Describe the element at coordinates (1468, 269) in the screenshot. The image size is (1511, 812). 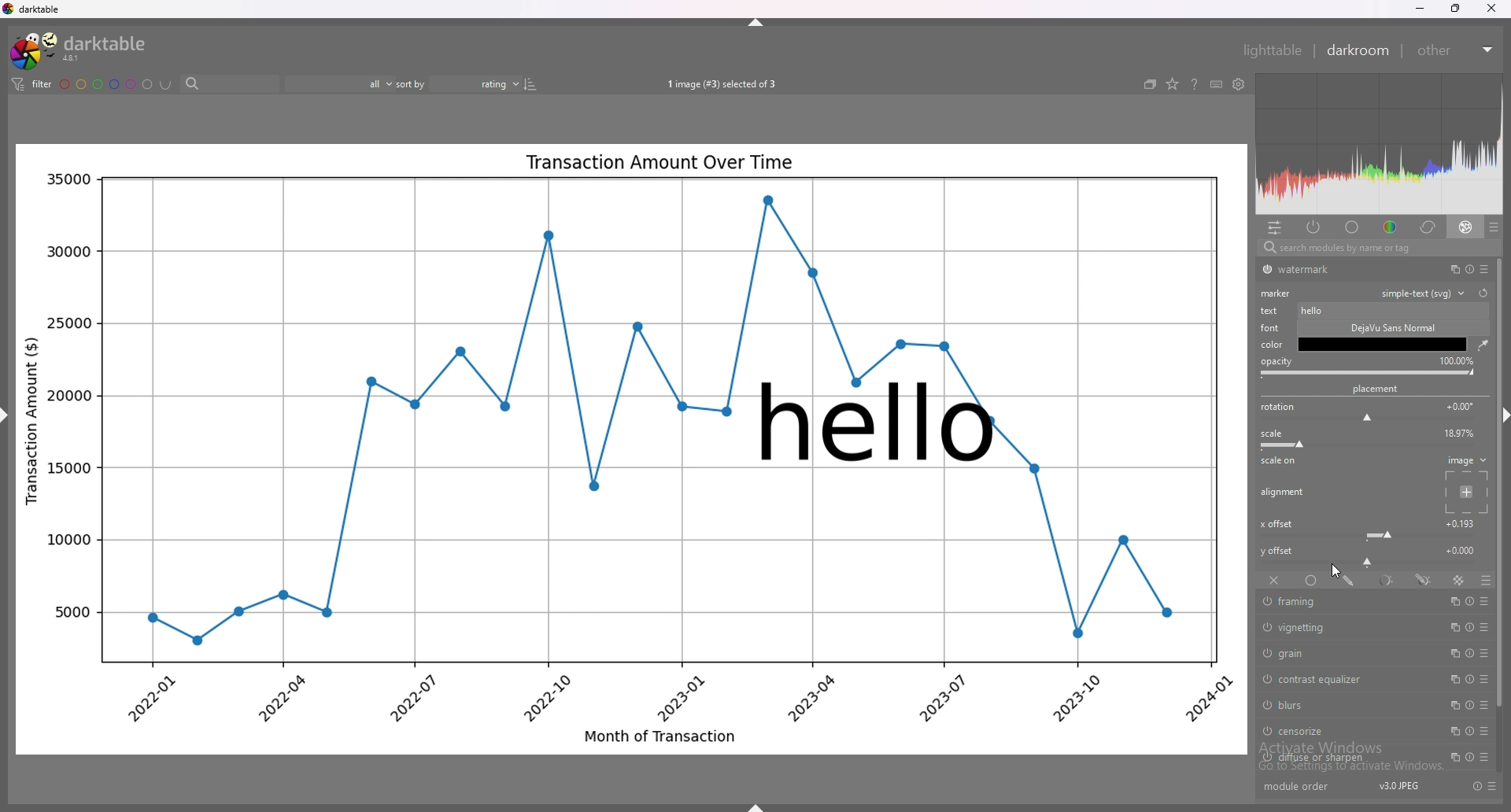
I see `reset` at that location.